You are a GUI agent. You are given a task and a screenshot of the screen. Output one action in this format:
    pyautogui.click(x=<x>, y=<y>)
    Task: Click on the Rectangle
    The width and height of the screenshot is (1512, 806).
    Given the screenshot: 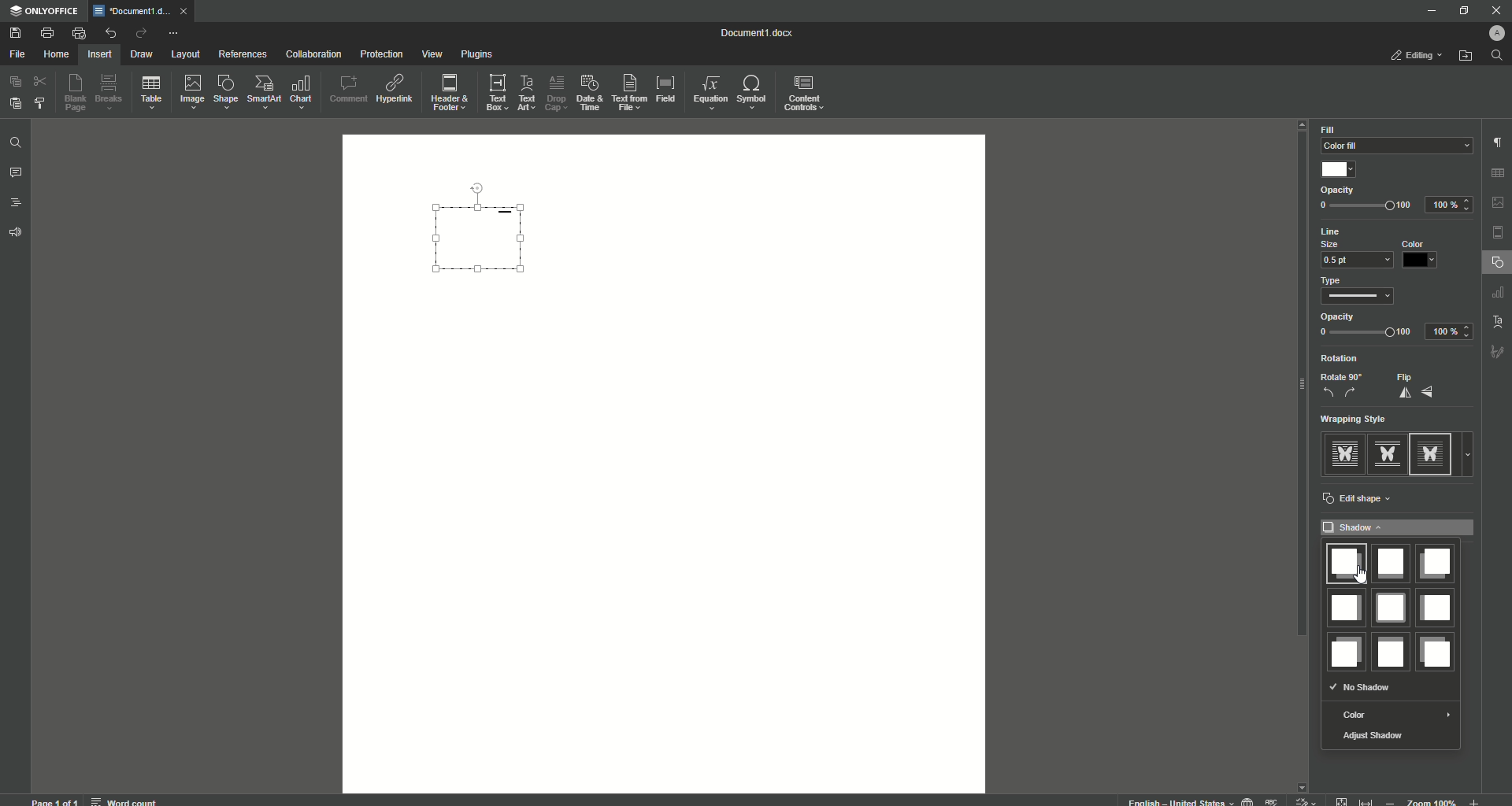 What is the action you would take?
    pyautogui.click(x=487, y=240)
    